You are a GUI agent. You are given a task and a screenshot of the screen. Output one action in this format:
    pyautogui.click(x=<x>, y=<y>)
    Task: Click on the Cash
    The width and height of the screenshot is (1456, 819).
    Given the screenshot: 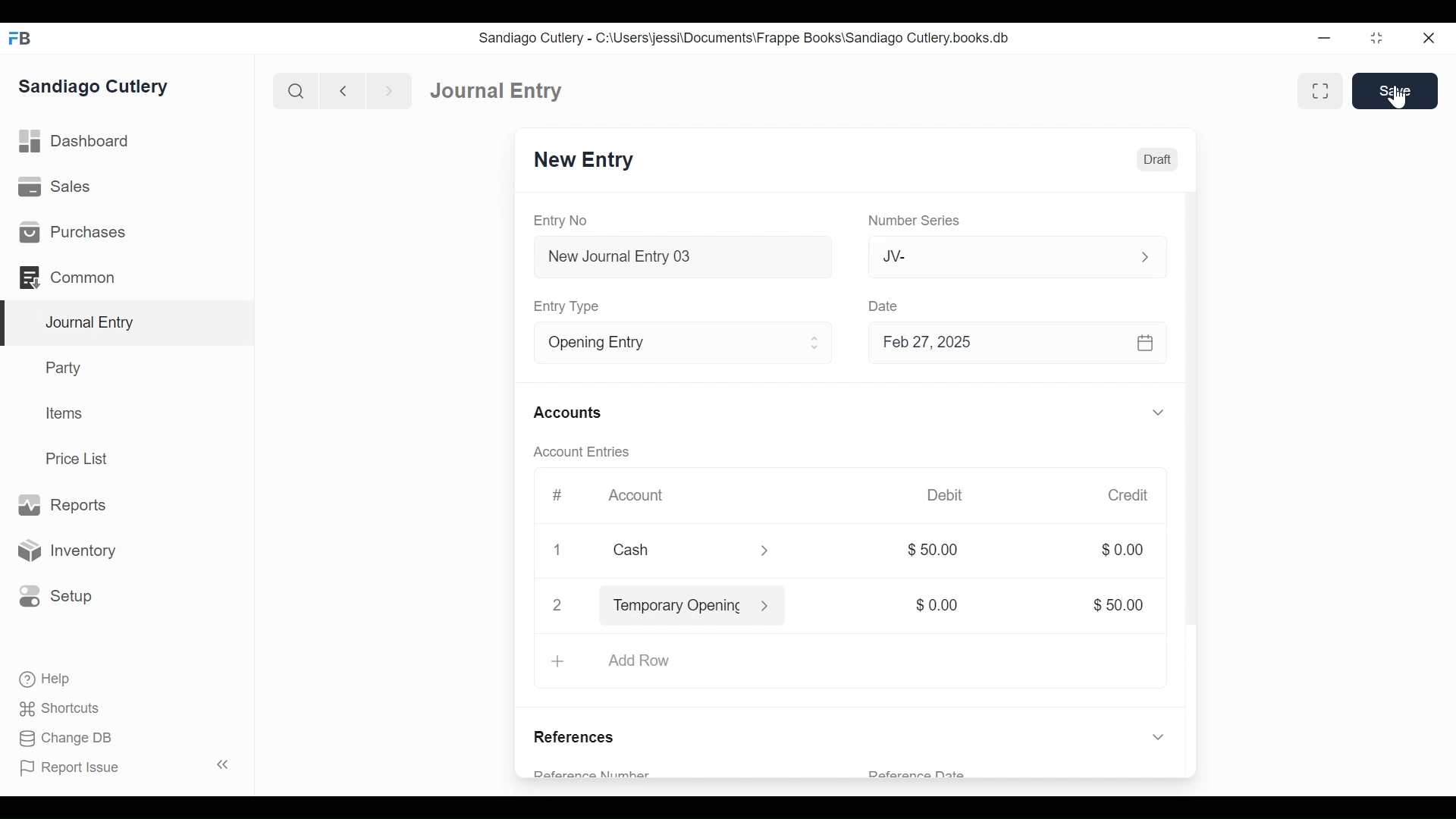 What is the action you would take?
    pyautogui.click(x=673, y=550)
    